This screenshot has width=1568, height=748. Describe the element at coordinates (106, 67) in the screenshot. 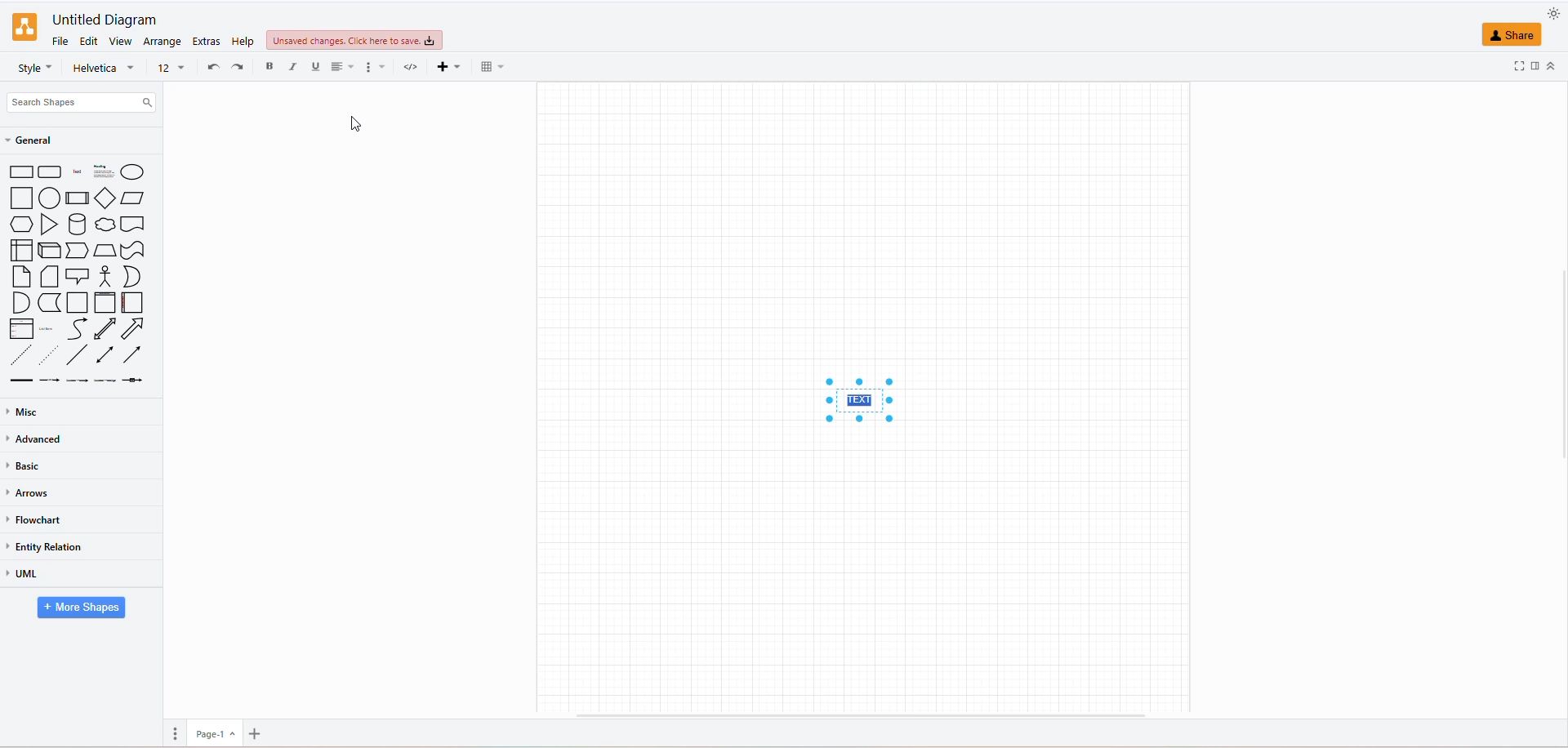

I see `font name` at that location.